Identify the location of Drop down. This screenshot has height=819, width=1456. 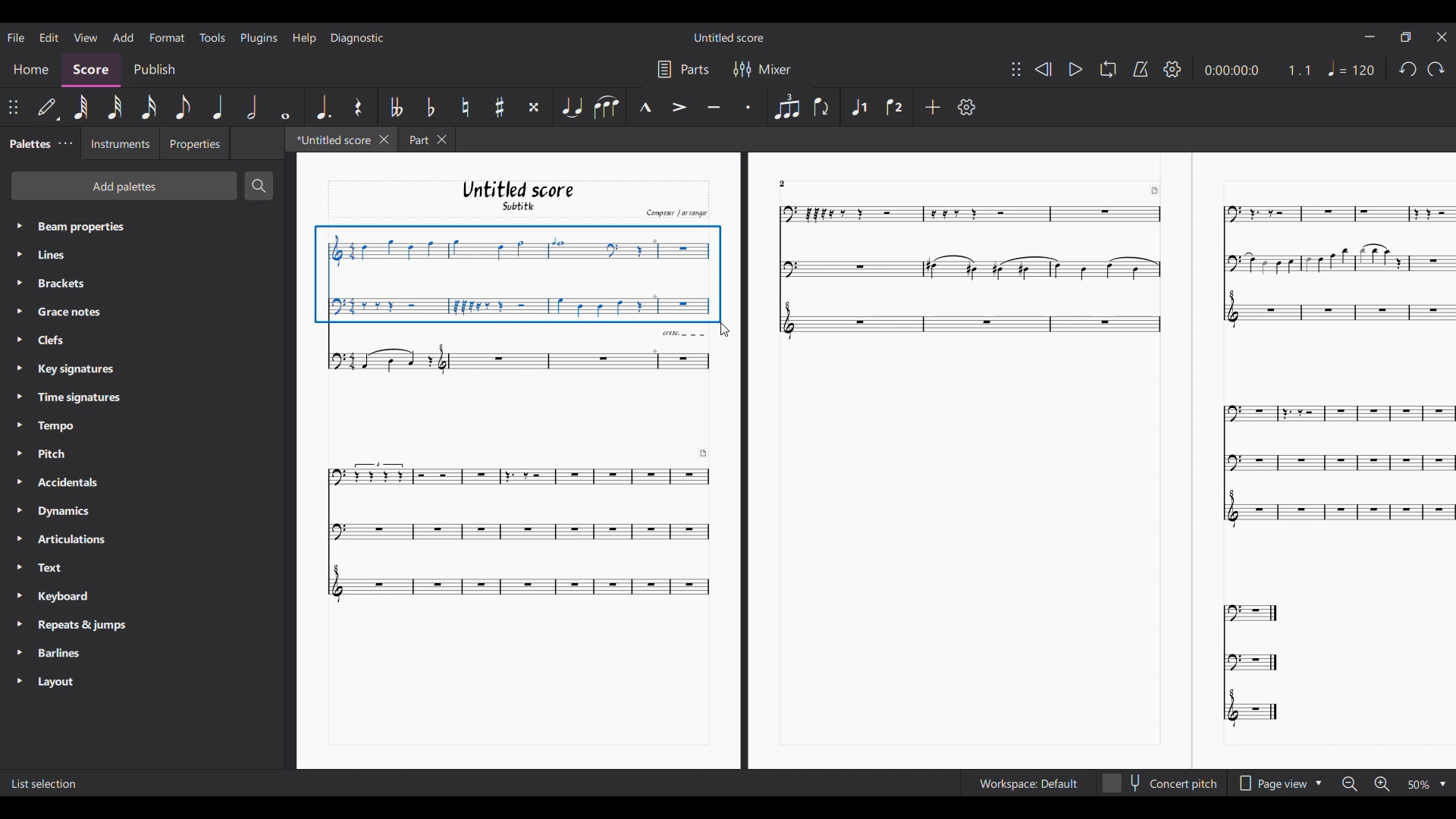
(1321, 782).